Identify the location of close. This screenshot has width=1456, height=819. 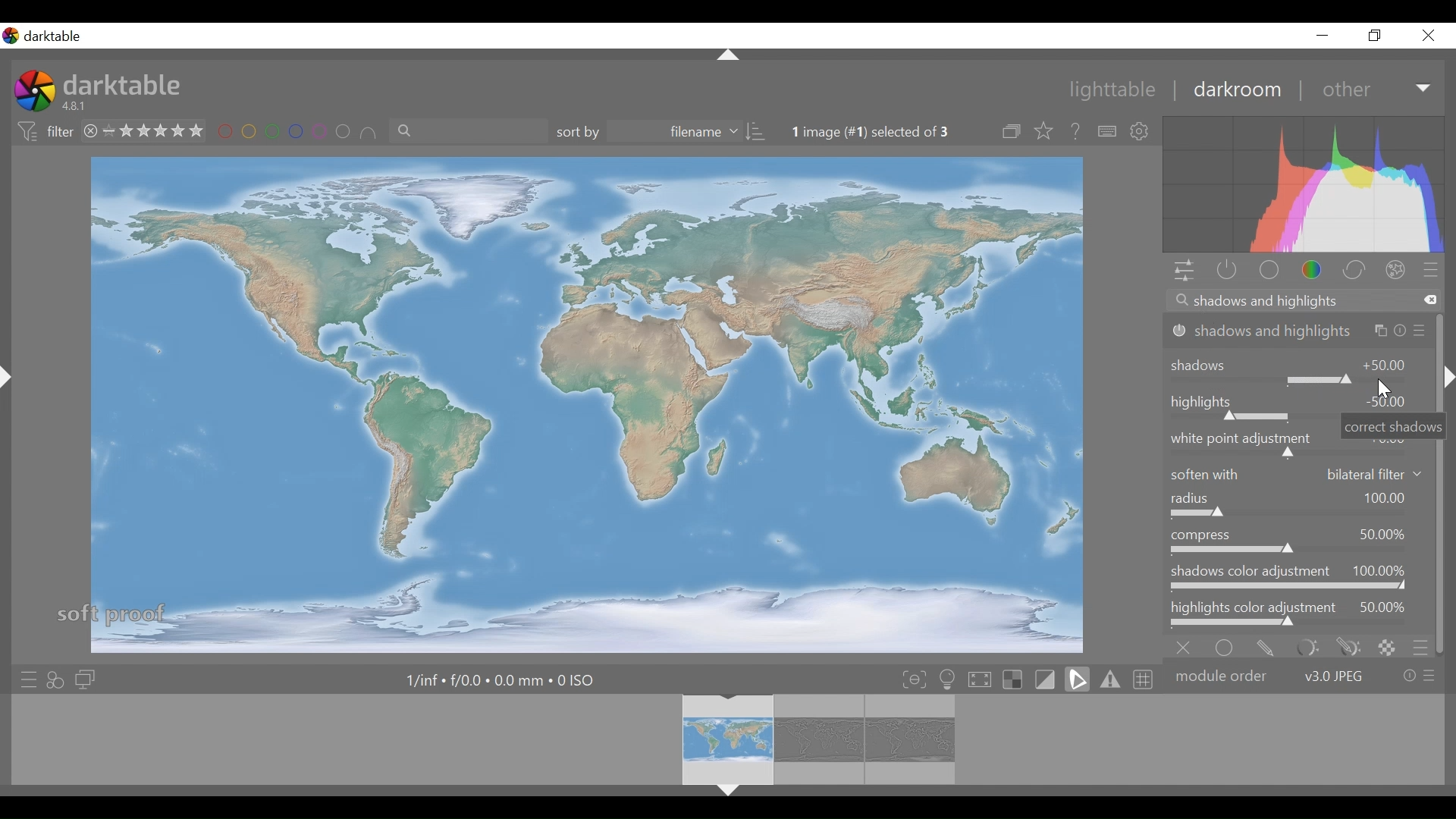
(1431, 36).